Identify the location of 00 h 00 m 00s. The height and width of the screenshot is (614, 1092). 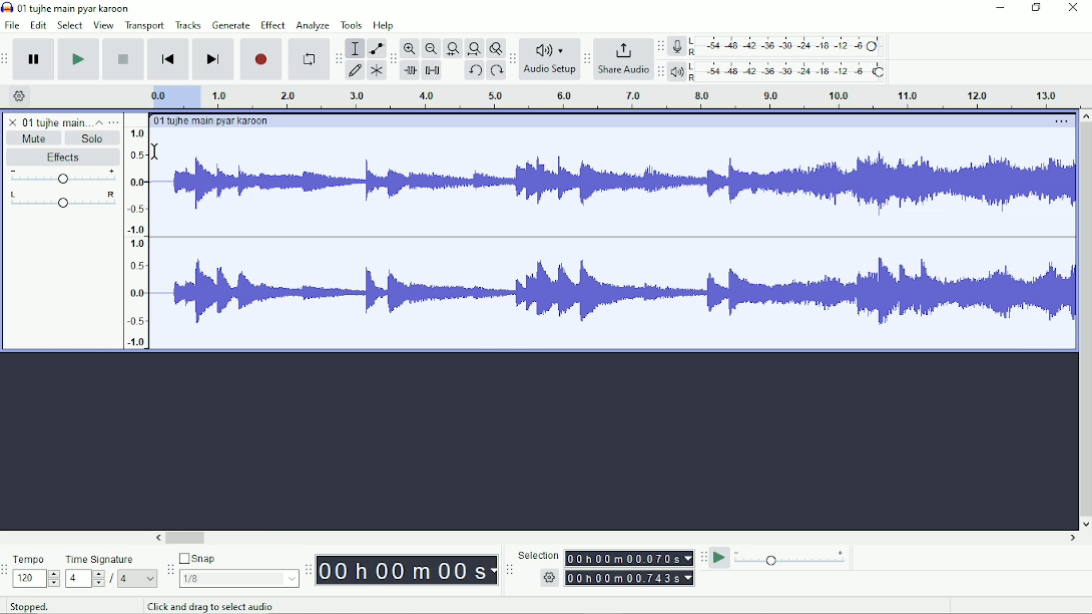
(407, 570).